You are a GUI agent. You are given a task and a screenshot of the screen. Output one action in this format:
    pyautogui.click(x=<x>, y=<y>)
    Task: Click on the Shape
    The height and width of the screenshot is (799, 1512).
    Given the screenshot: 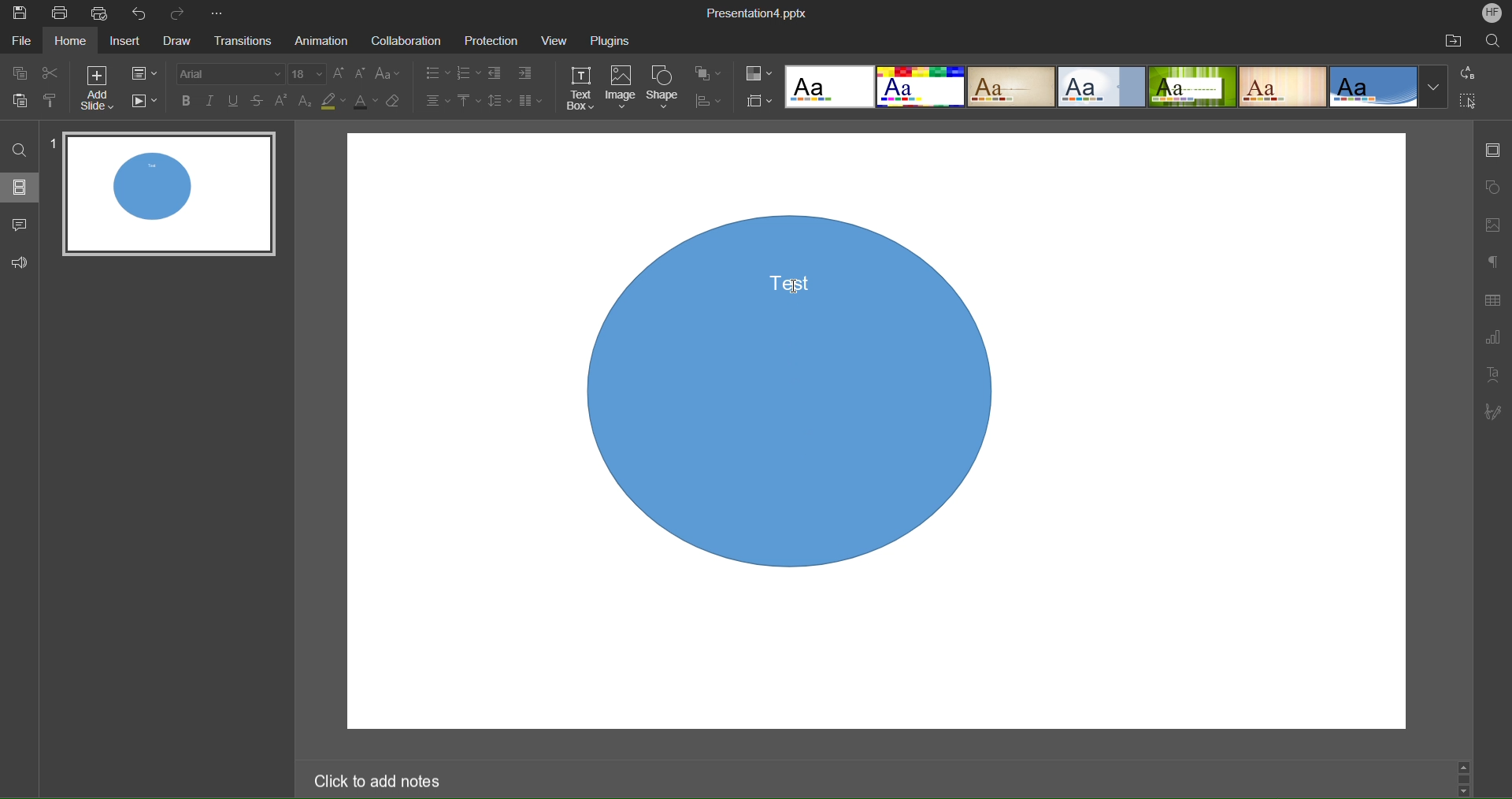 What is the action you would take?
    pyautogui.click(x=787, y=394)
    